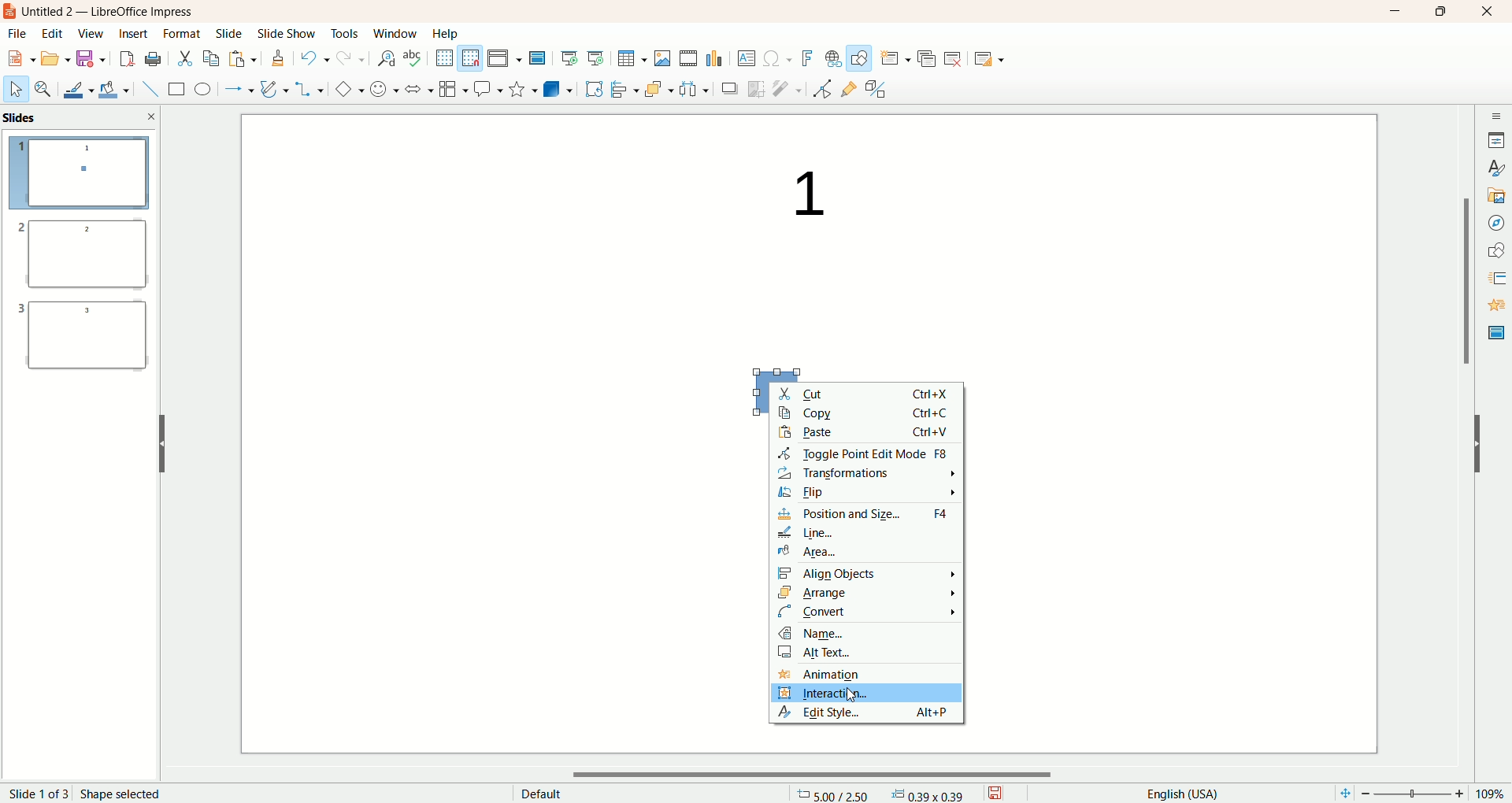 The width and height of the screenshot is (1512, 803). What do you see at coordinates (787, 89) in the screenshot?
I see `filter` at bounding box center [787, 89].